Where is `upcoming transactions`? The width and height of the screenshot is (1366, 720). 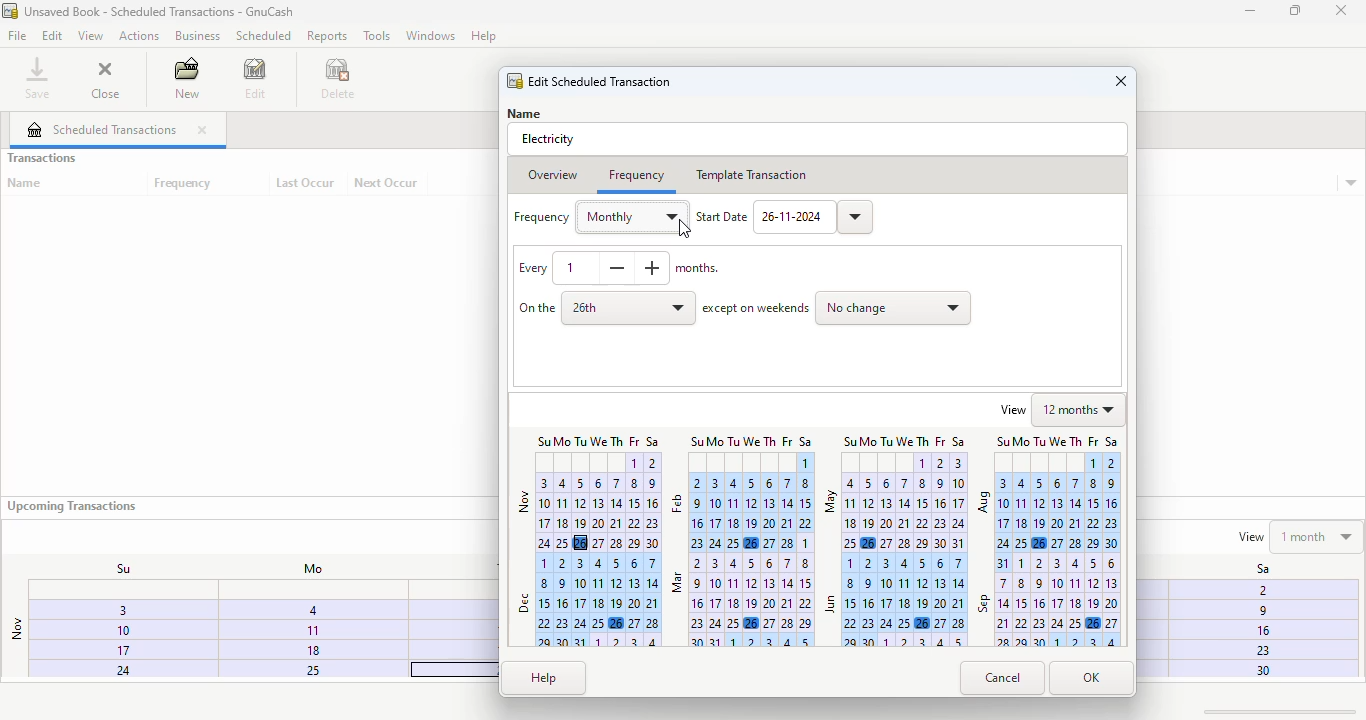
upcoming transactions is located at coordinates (71, 506).